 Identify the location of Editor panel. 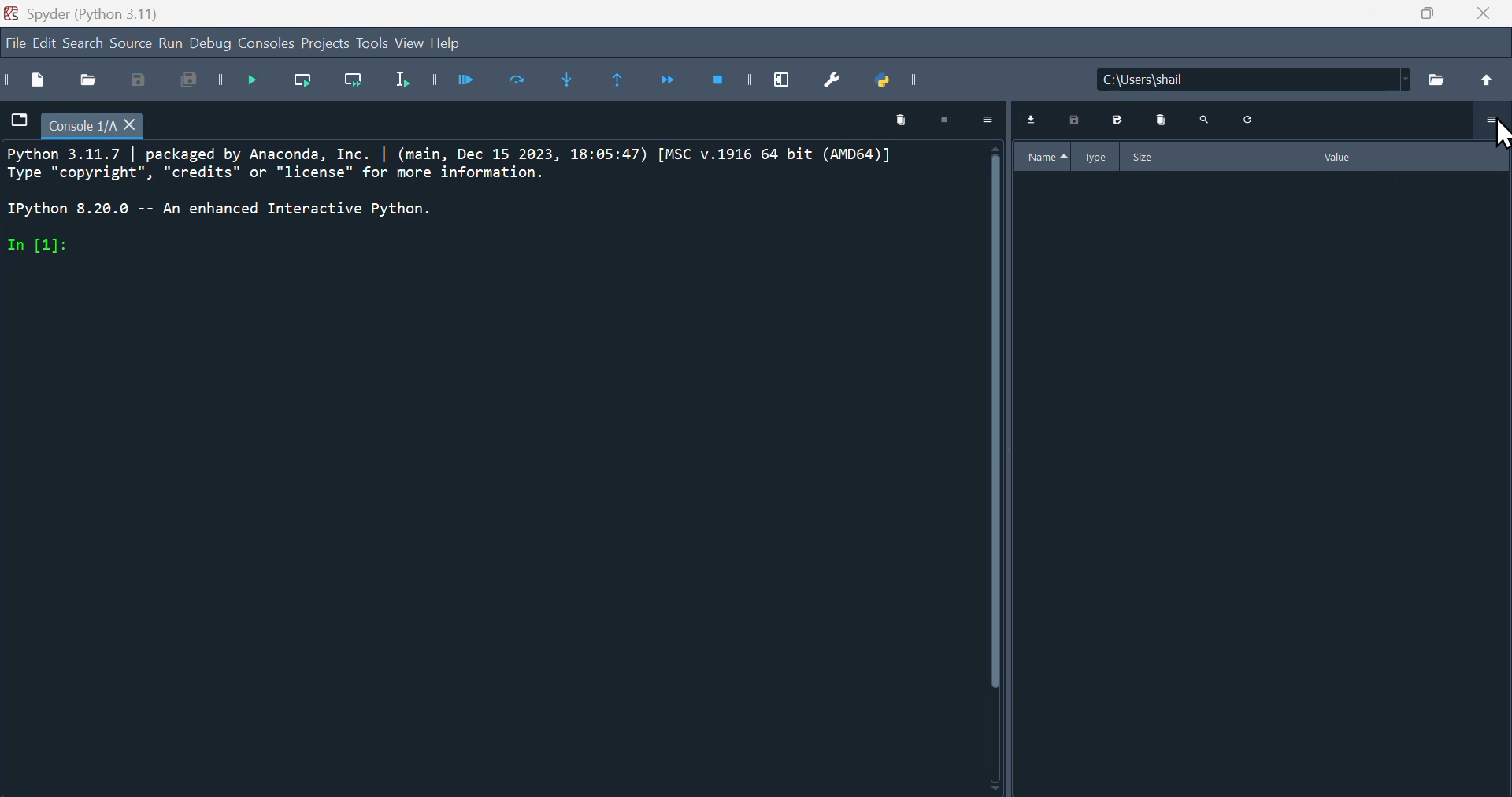
(502, 467).